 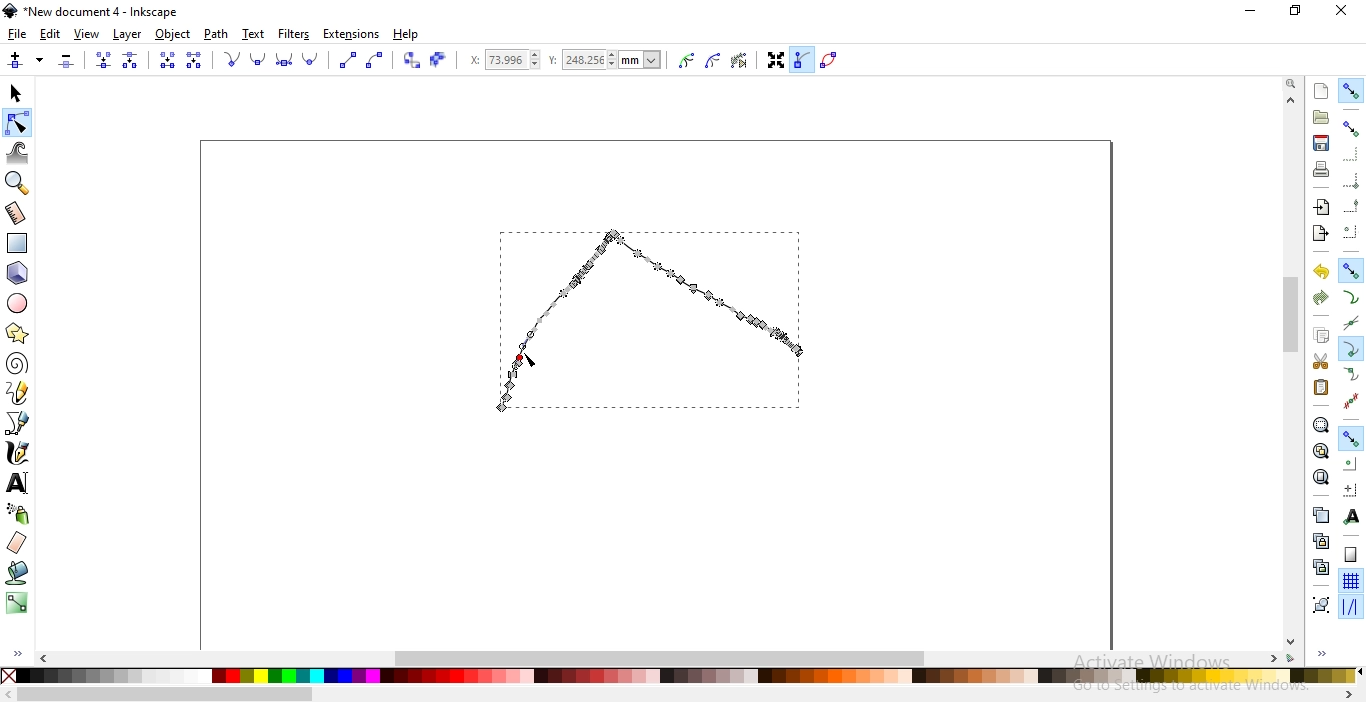 I want to click on cut the selected clones links to the originals, so click(x=1320, y=567).